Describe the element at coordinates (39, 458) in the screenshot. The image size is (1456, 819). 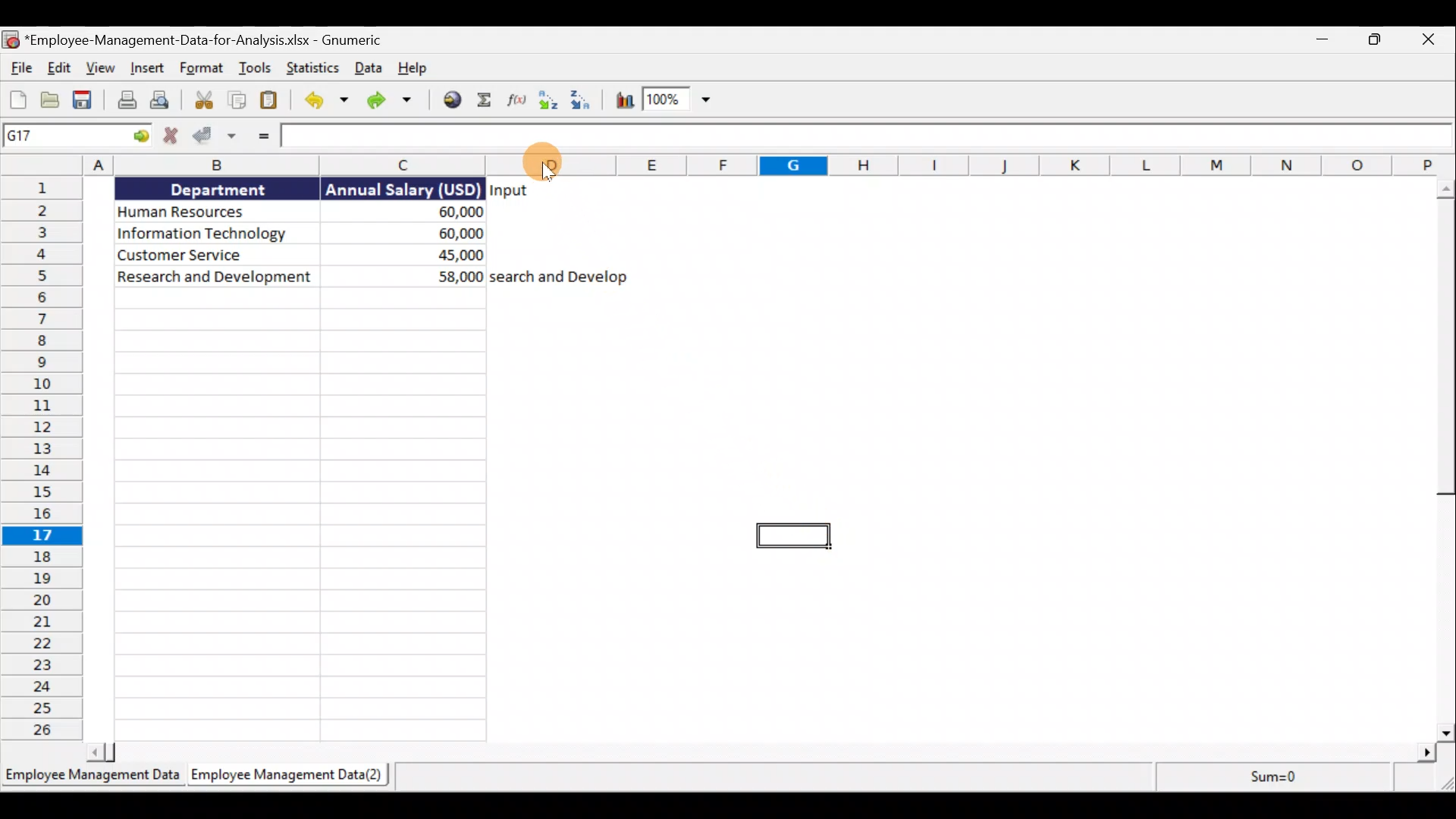
I see `rows` at that location.